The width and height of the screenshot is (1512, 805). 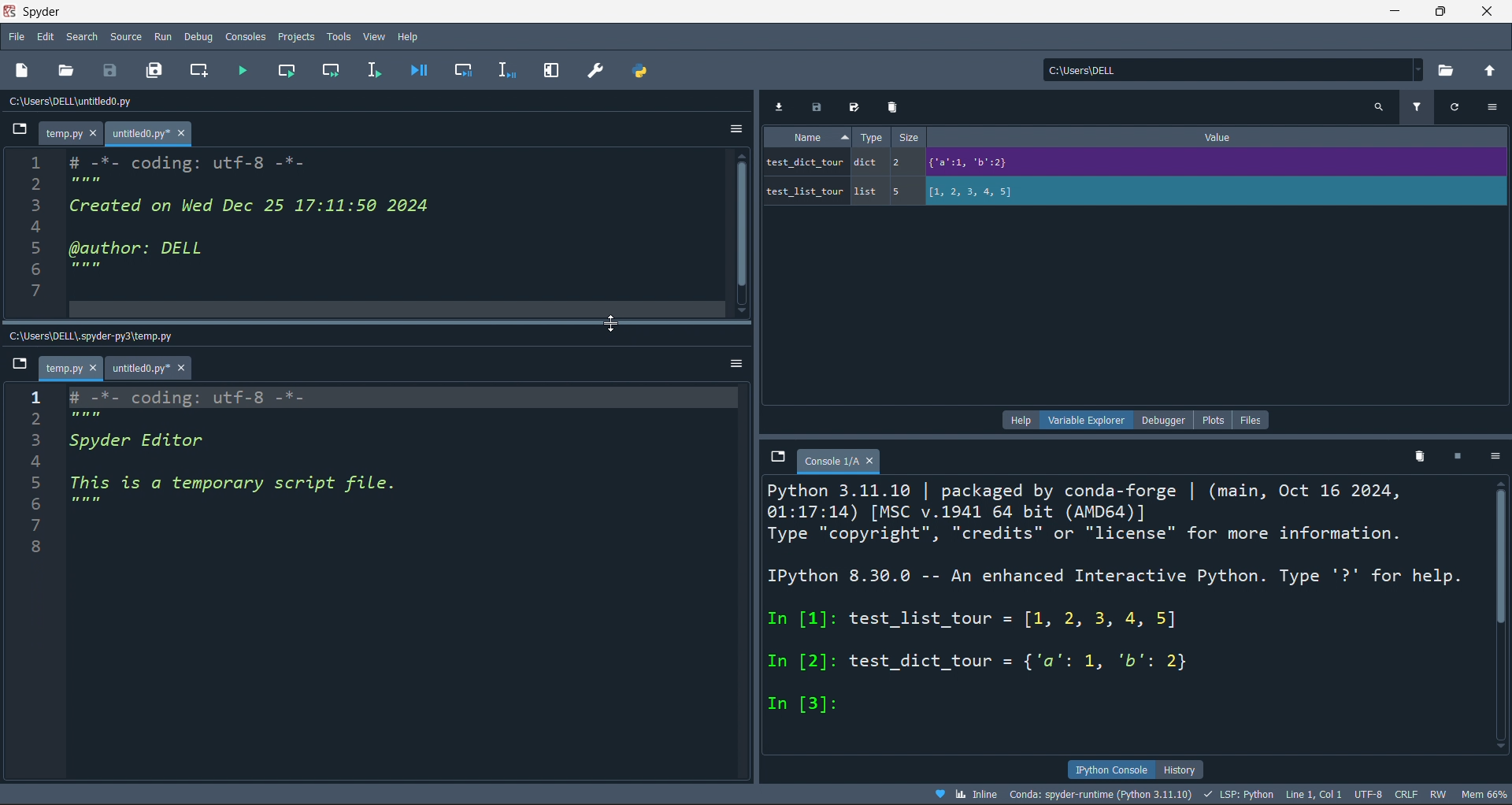 What do you see at coordinates (205, 395) in the screenshot?
I see `1 # -*¥- coding: utf-8 -*-` at bounding box center [205, 395].